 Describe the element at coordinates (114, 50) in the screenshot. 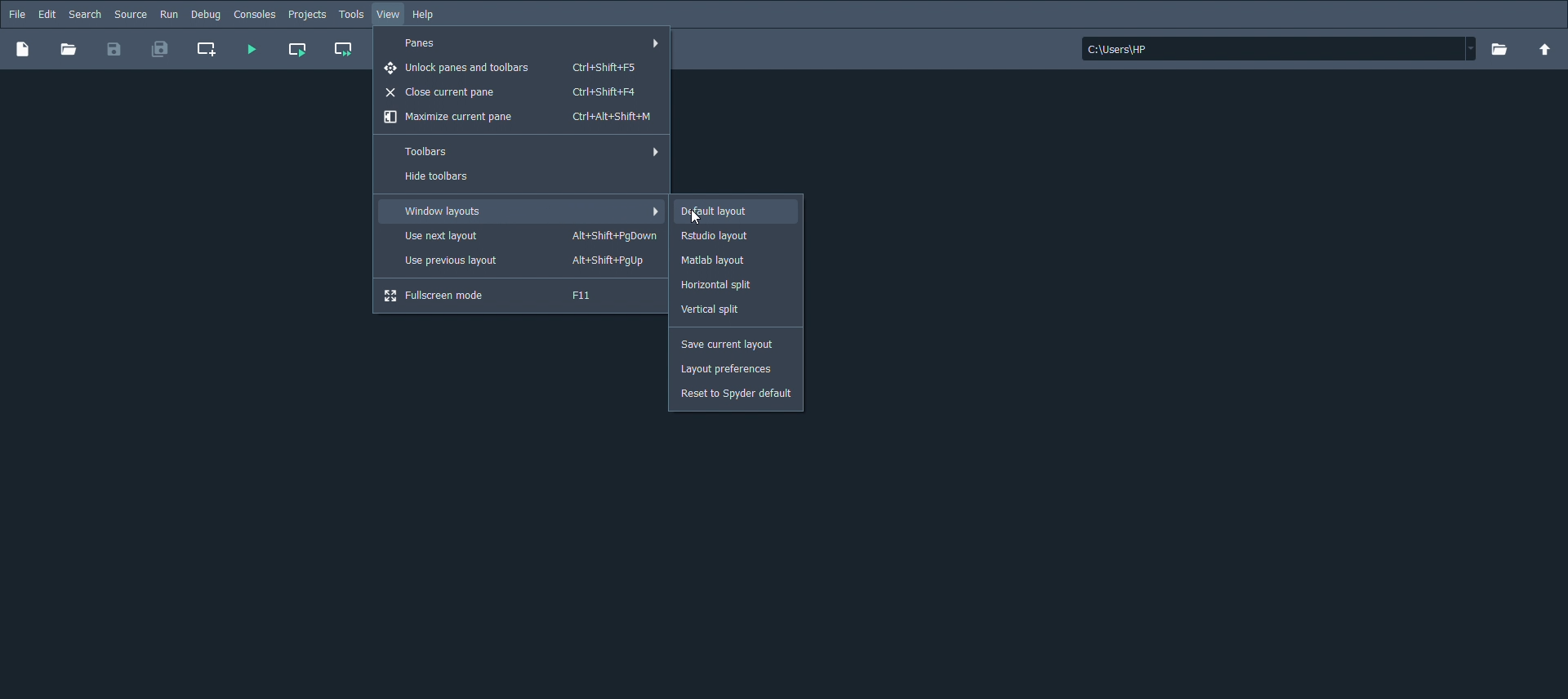

I see `Save files` at that location.